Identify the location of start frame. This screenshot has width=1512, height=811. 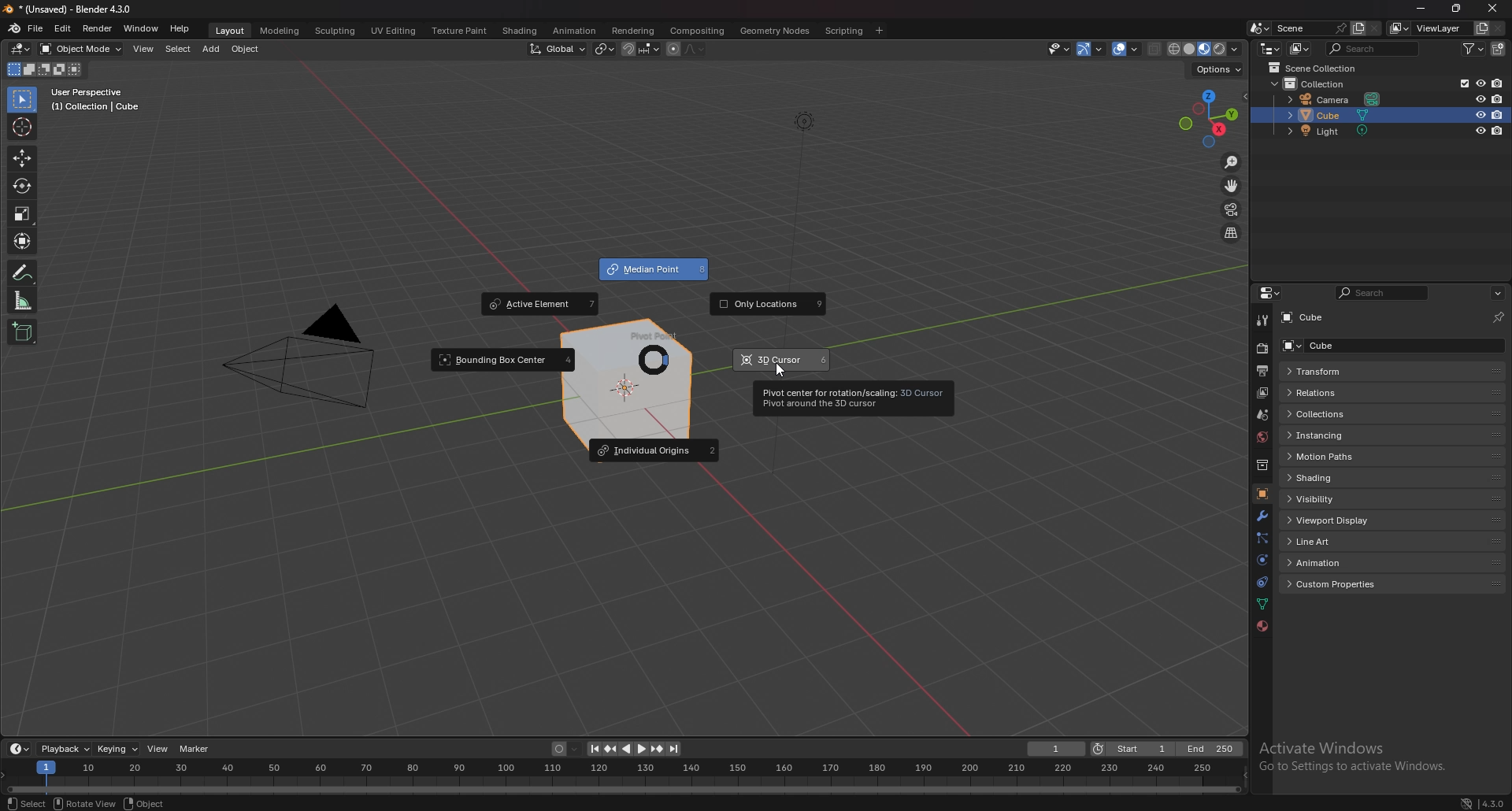
(1132, 748).